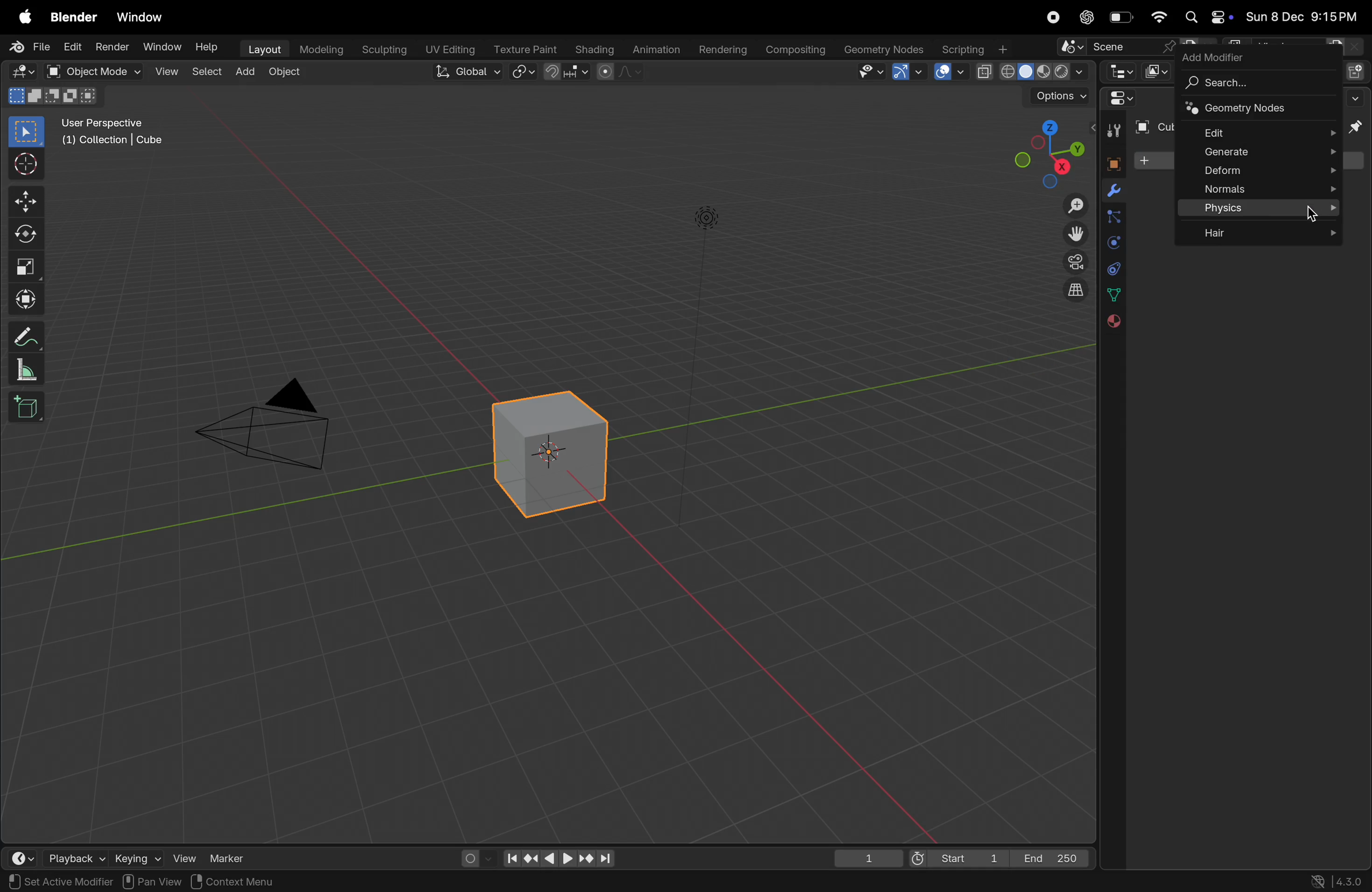  Describe the element at coordinates (105, 72) in the screenshot. I see `object mode` at that location.